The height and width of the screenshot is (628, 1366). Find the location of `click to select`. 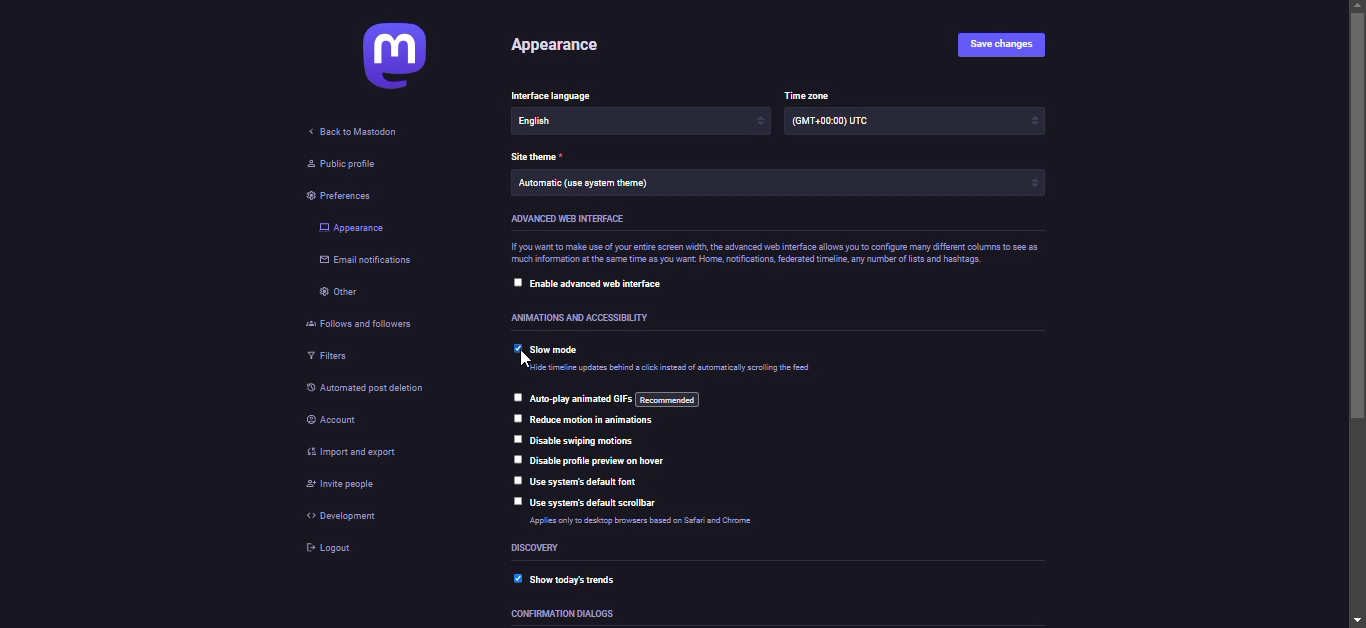

click to select is located at coordinates (516, 416).